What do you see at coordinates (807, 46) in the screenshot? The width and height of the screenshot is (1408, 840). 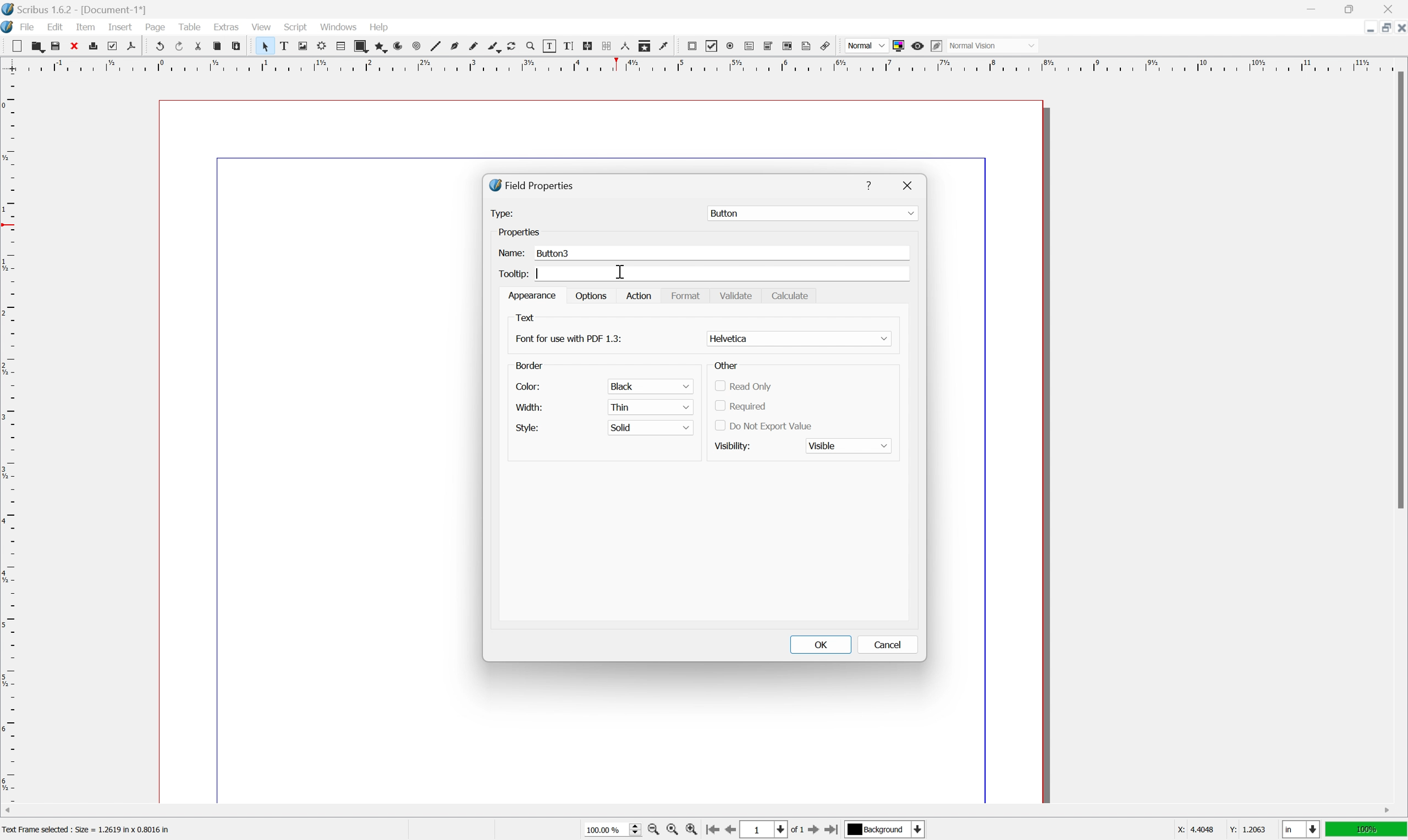 I see `text annotation` at bounding box center [807, 46].